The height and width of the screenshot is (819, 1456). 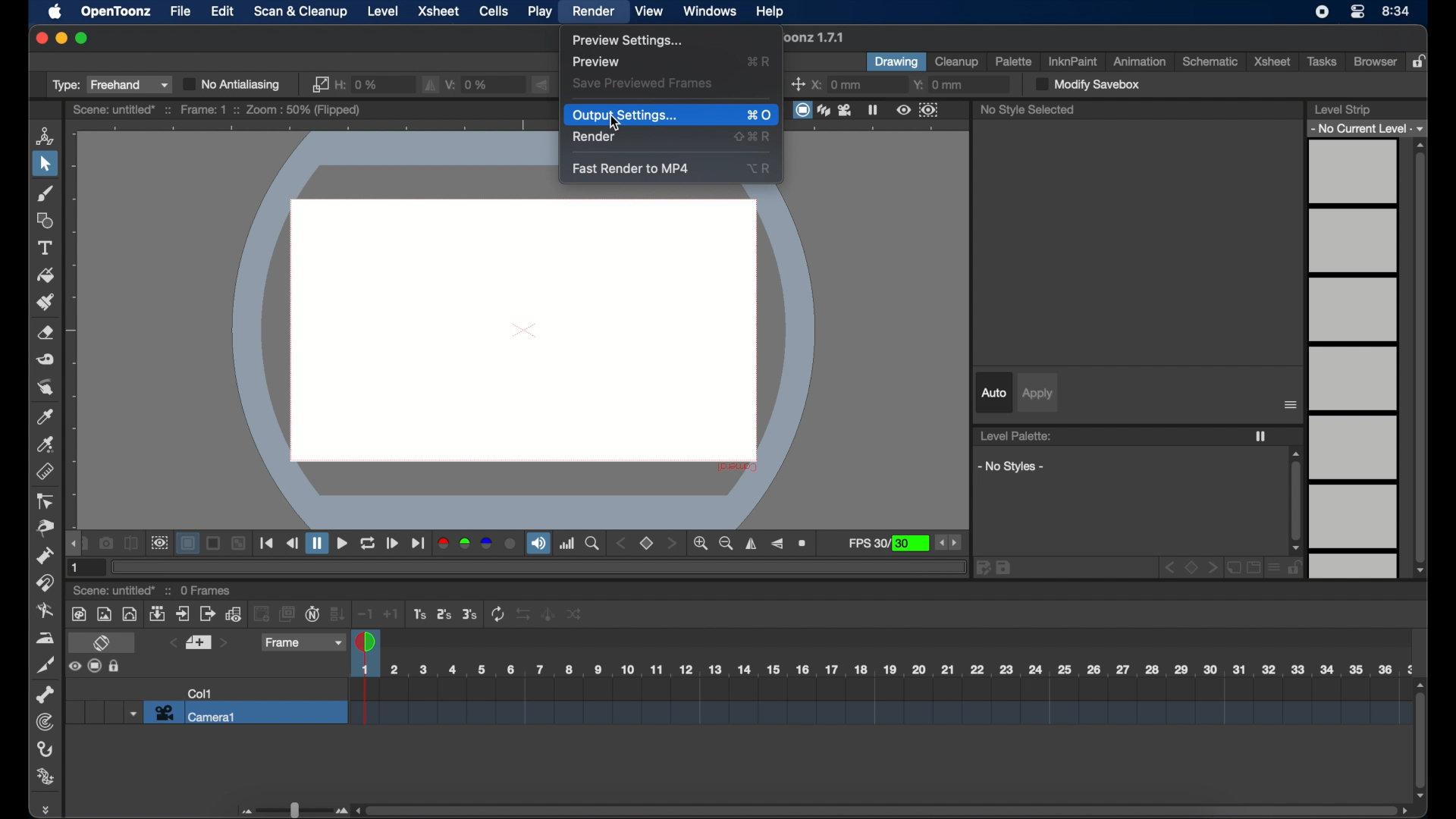 I want to click on compare to  snapshot, so click(x=131, y=544).